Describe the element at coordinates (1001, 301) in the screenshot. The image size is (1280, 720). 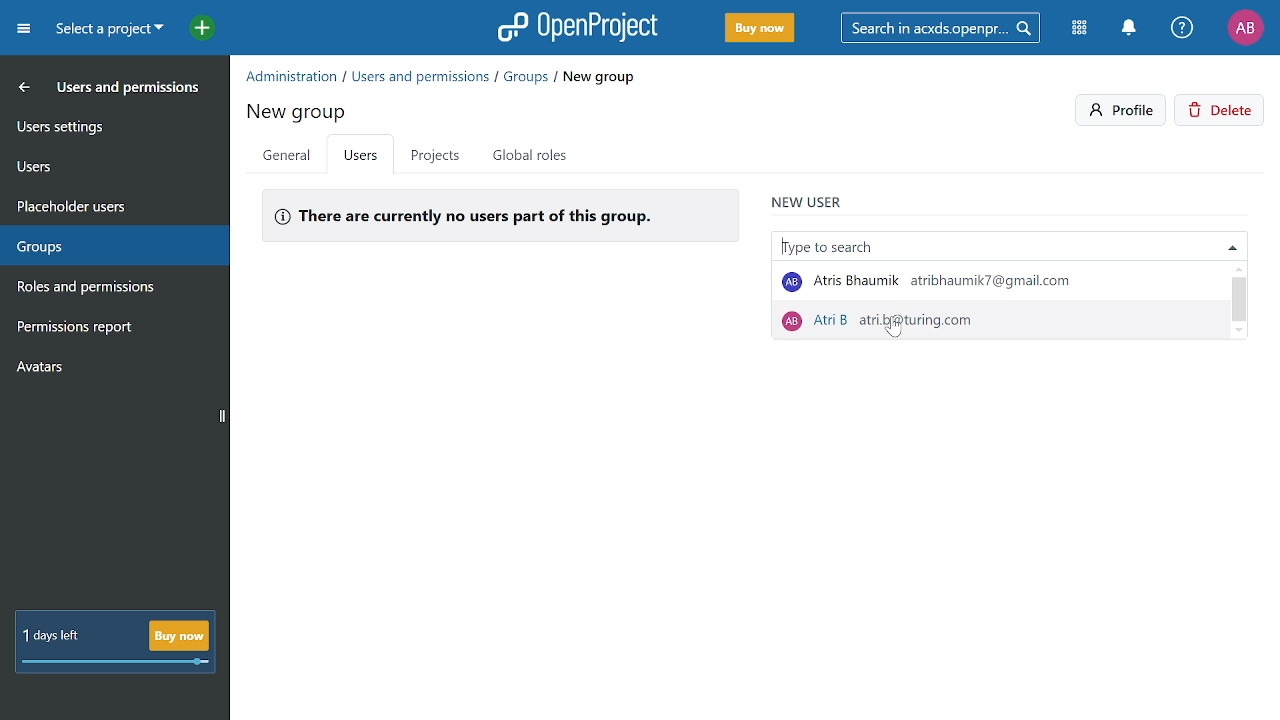
I see `EXisting users` at that location.